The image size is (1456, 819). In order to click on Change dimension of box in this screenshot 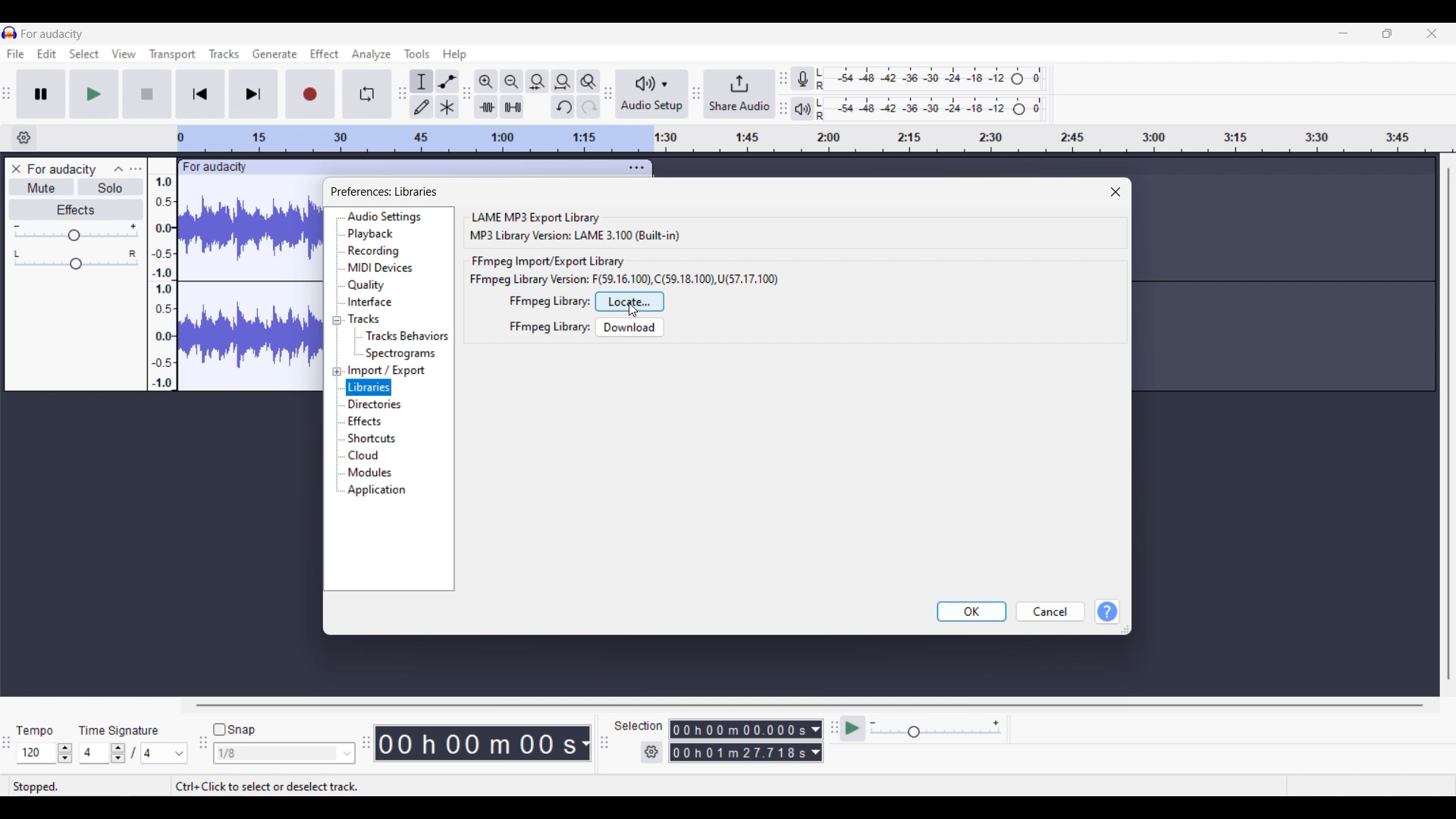, I will do `click(1125, 629)`.